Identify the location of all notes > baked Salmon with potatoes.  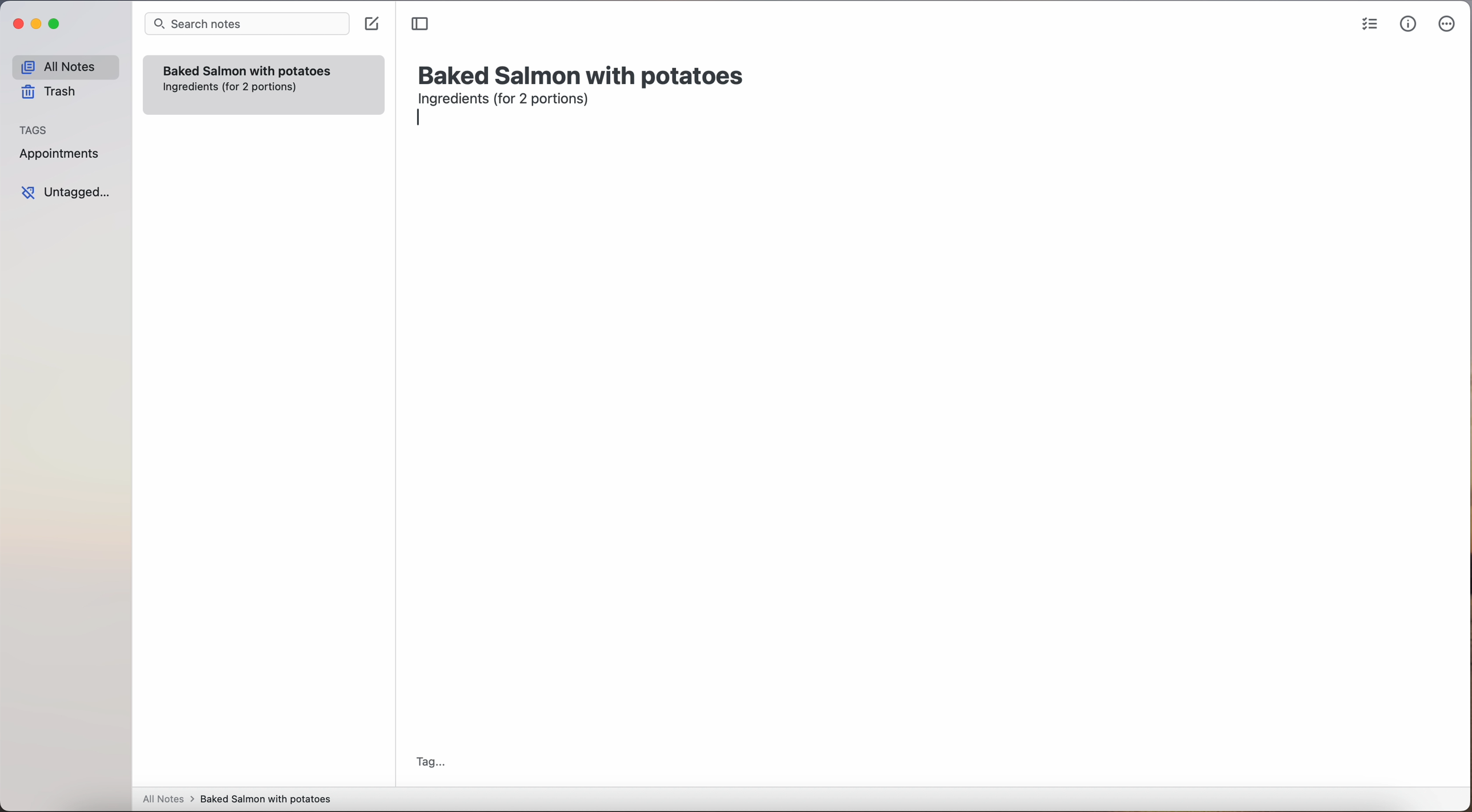
(237, 798).